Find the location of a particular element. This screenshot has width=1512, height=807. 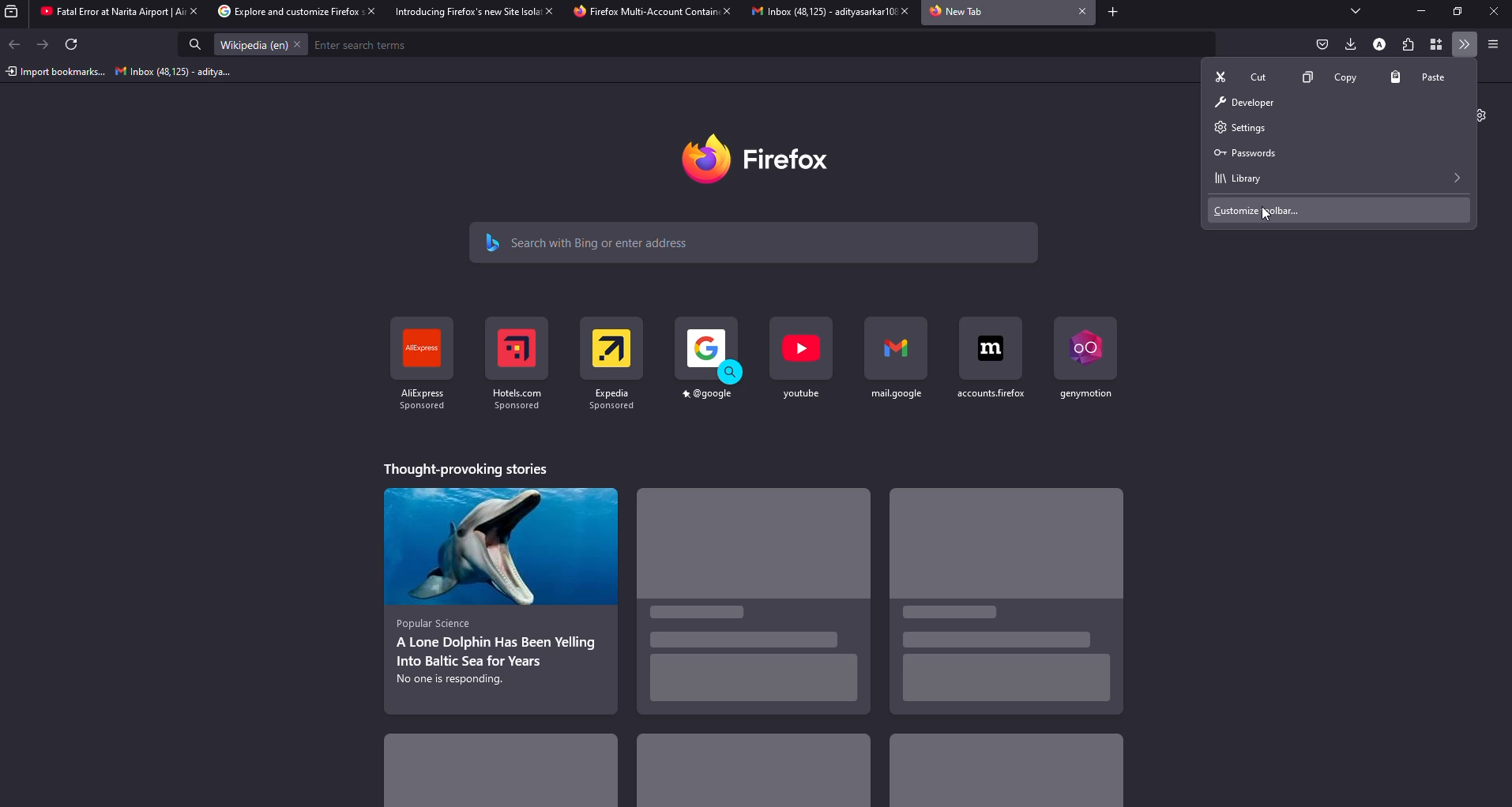

view recent is located at coordinates (14, 12).